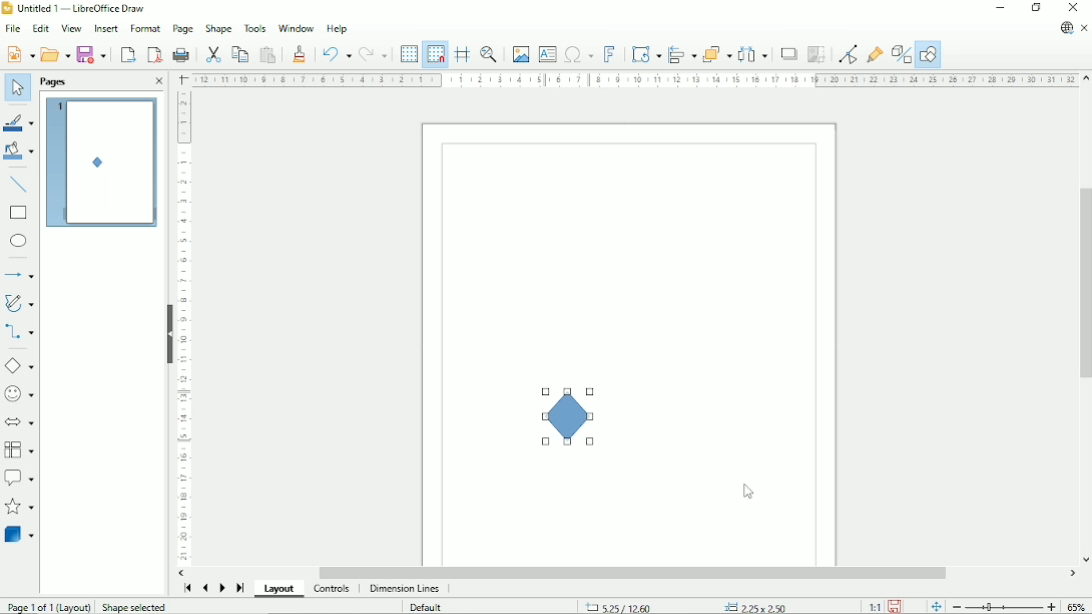 This screenshot has height=614, width=1092. Describe the element at coordinates (462, 54) in the screenshot. I see `Helplines while moving` at that location.